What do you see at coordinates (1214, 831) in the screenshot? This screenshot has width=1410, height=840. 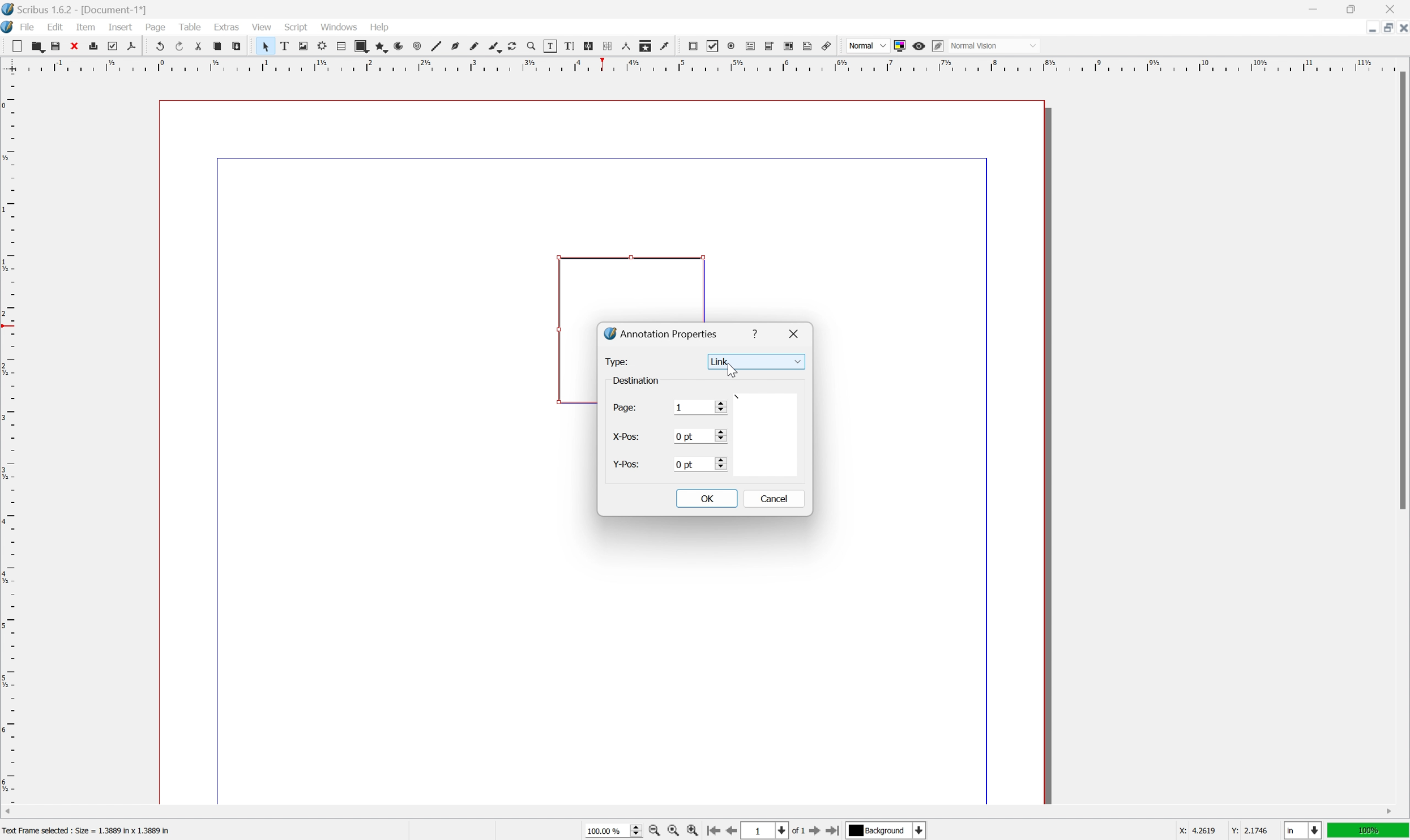 I see `coordinates` at bounding box center [1214, 831].